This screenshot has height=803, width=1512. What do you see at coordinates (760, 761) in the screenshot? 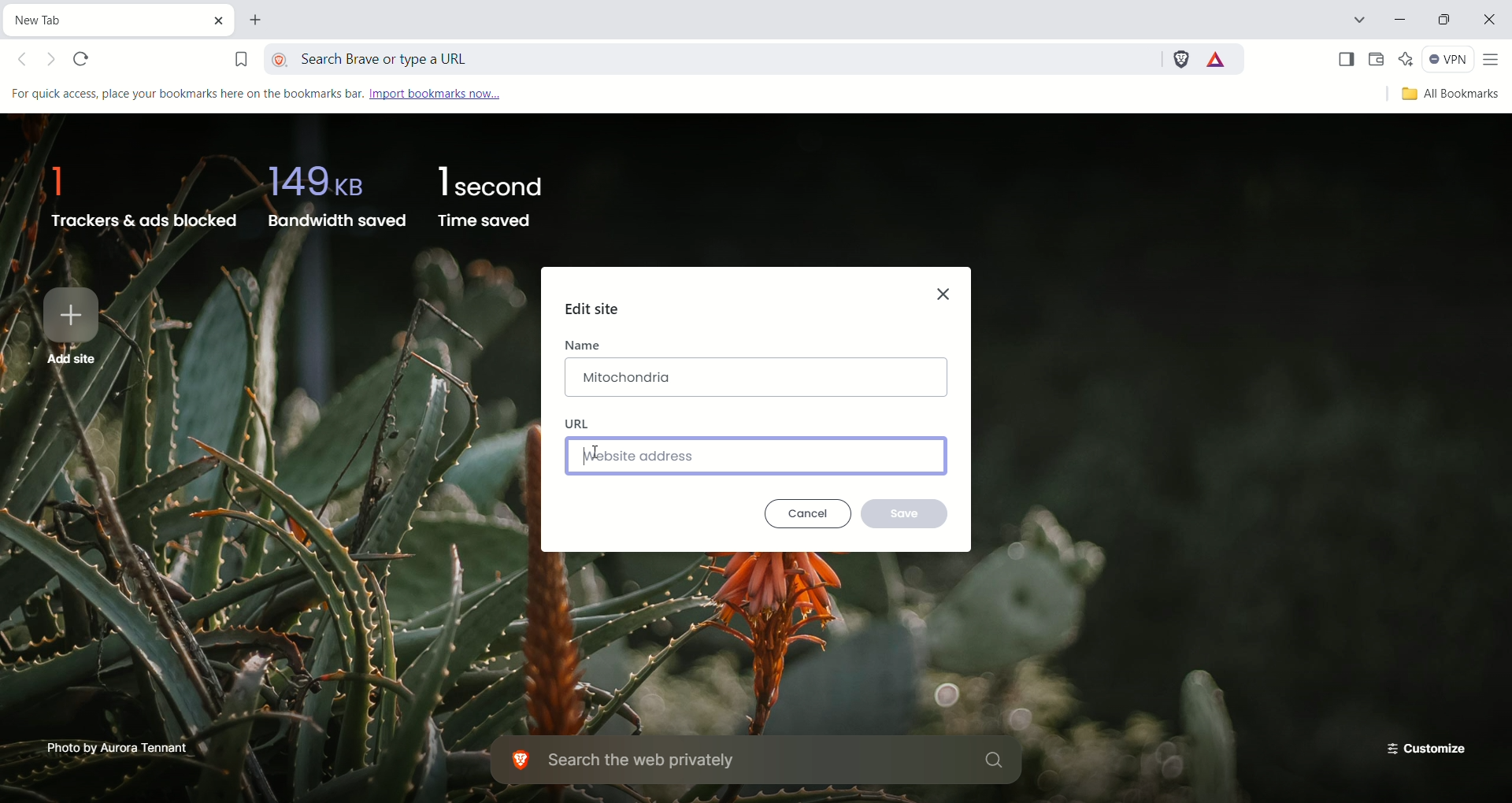
I see `search the web privately` at bounding box center [760, 761].